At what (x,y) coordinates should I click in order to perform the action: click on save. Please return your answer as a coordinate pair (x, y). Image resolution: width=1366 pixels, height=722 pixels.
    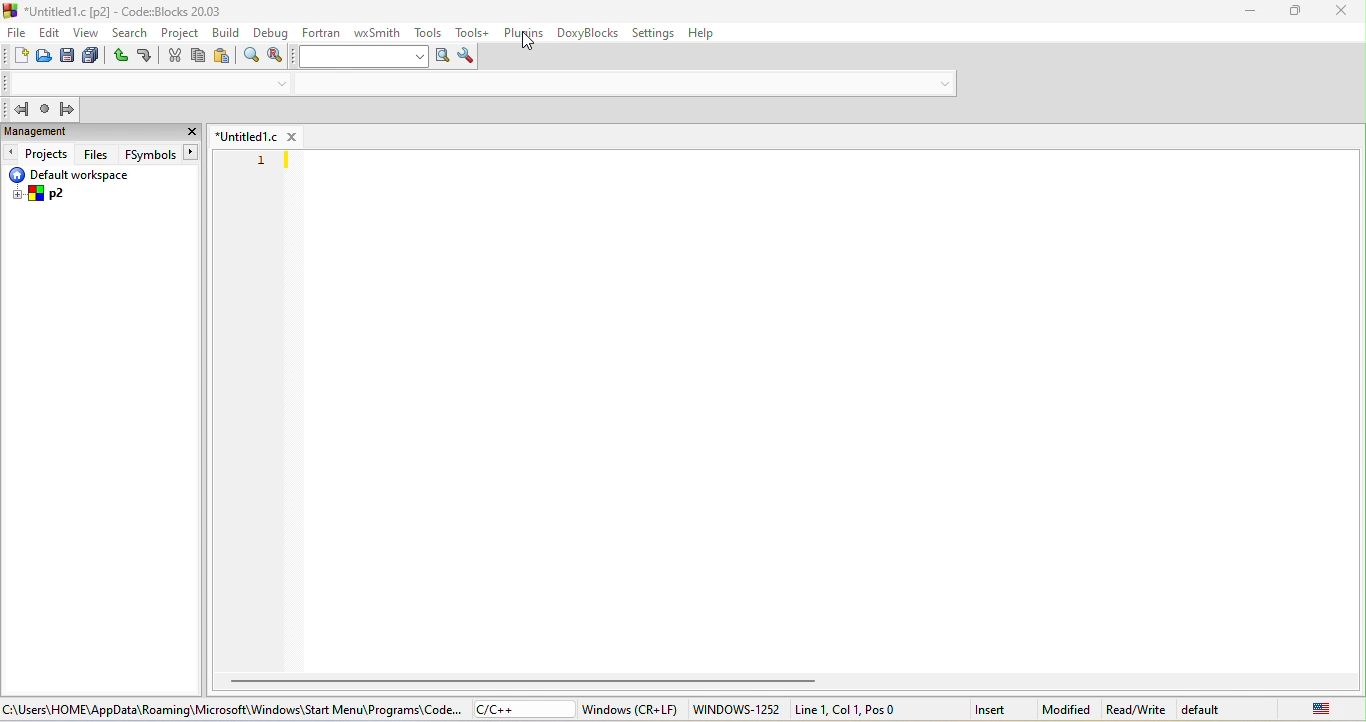
    Looking at the image, I should click on (67, 58).